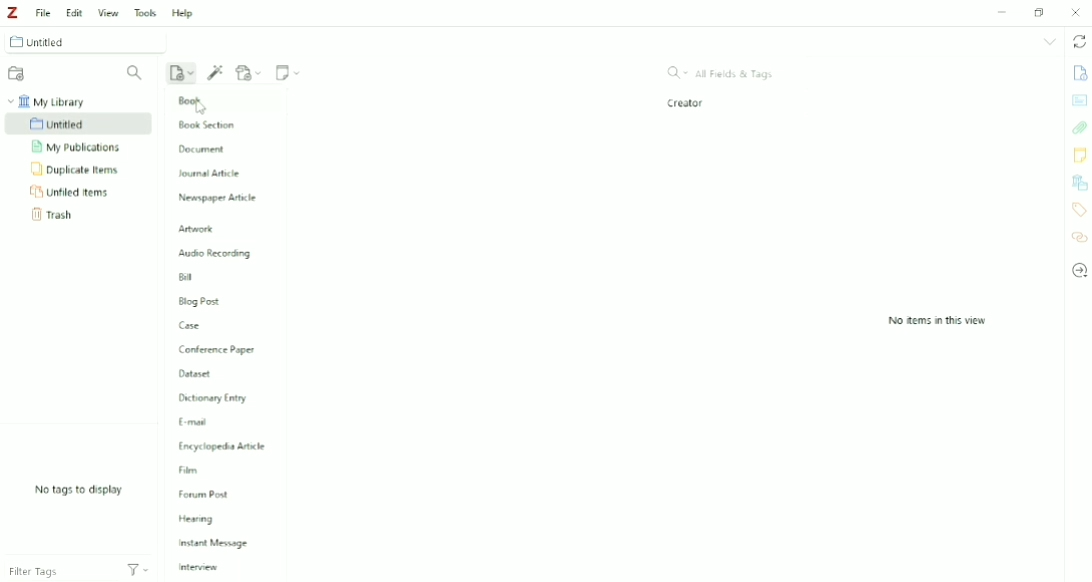 This screenshot has height=582, width=1092. Describe the element at coordinates (182, 72) in the screenshot. I see `New Item` at that location.